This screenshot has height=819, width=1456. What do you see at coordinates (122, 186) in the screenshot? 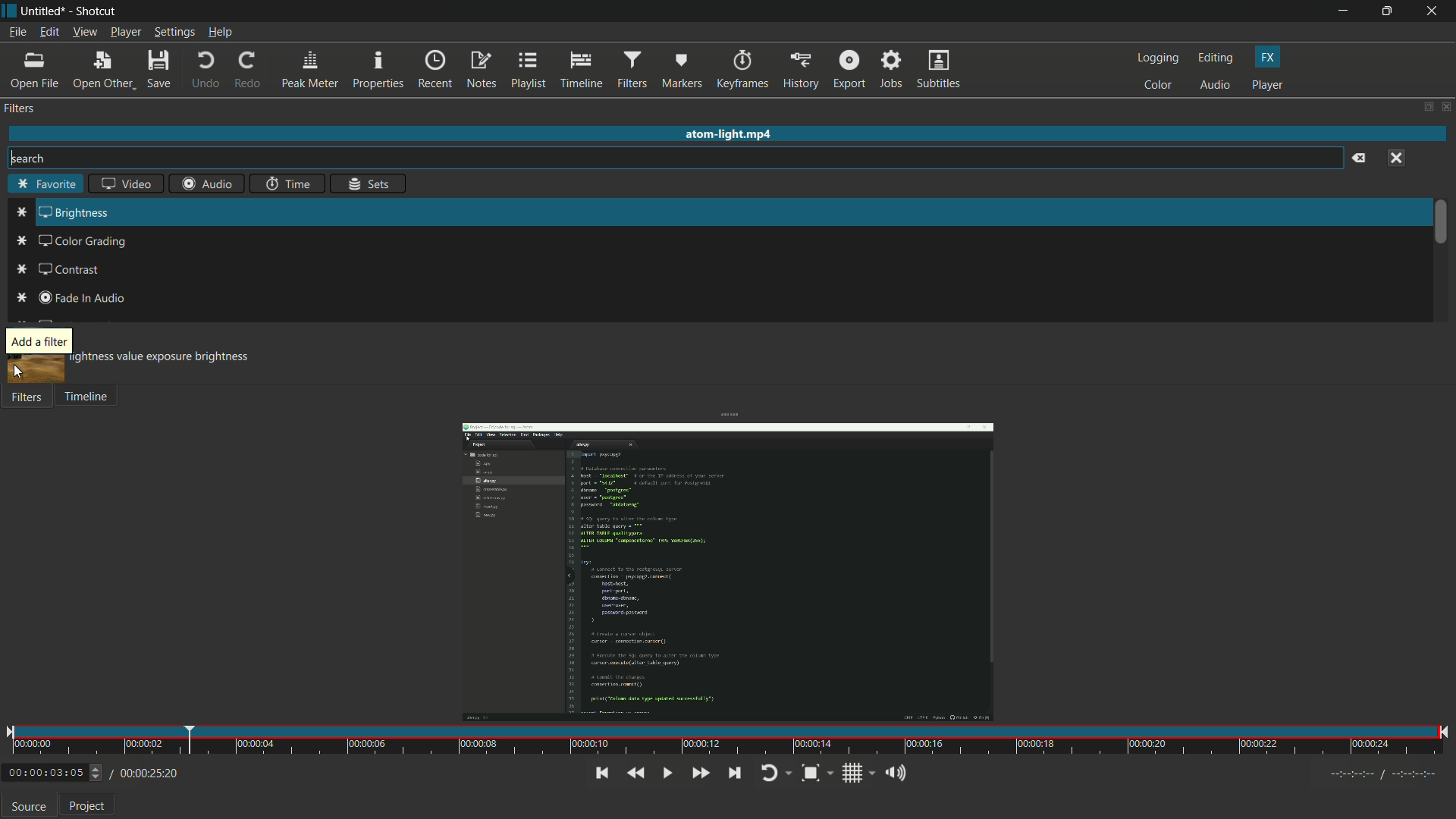
I see `video` at bounding box center [122, 186].